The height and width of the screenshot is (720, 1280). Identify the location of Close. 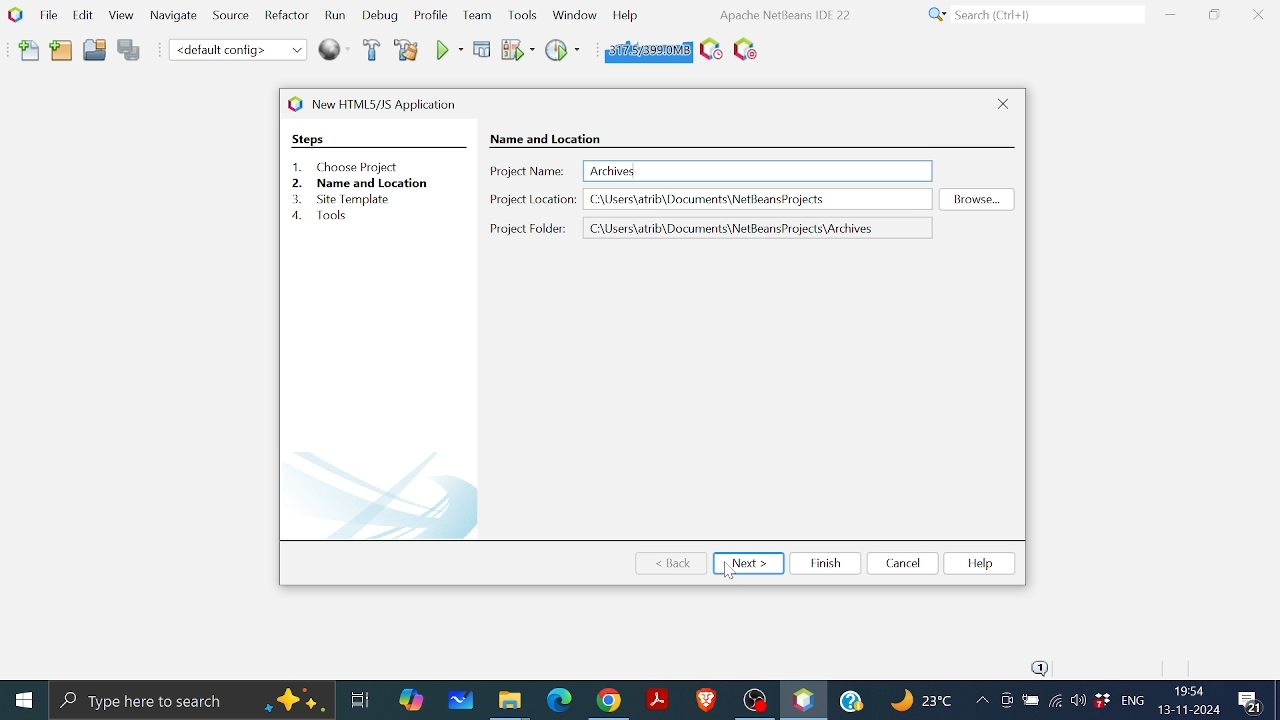
(1004, 103).